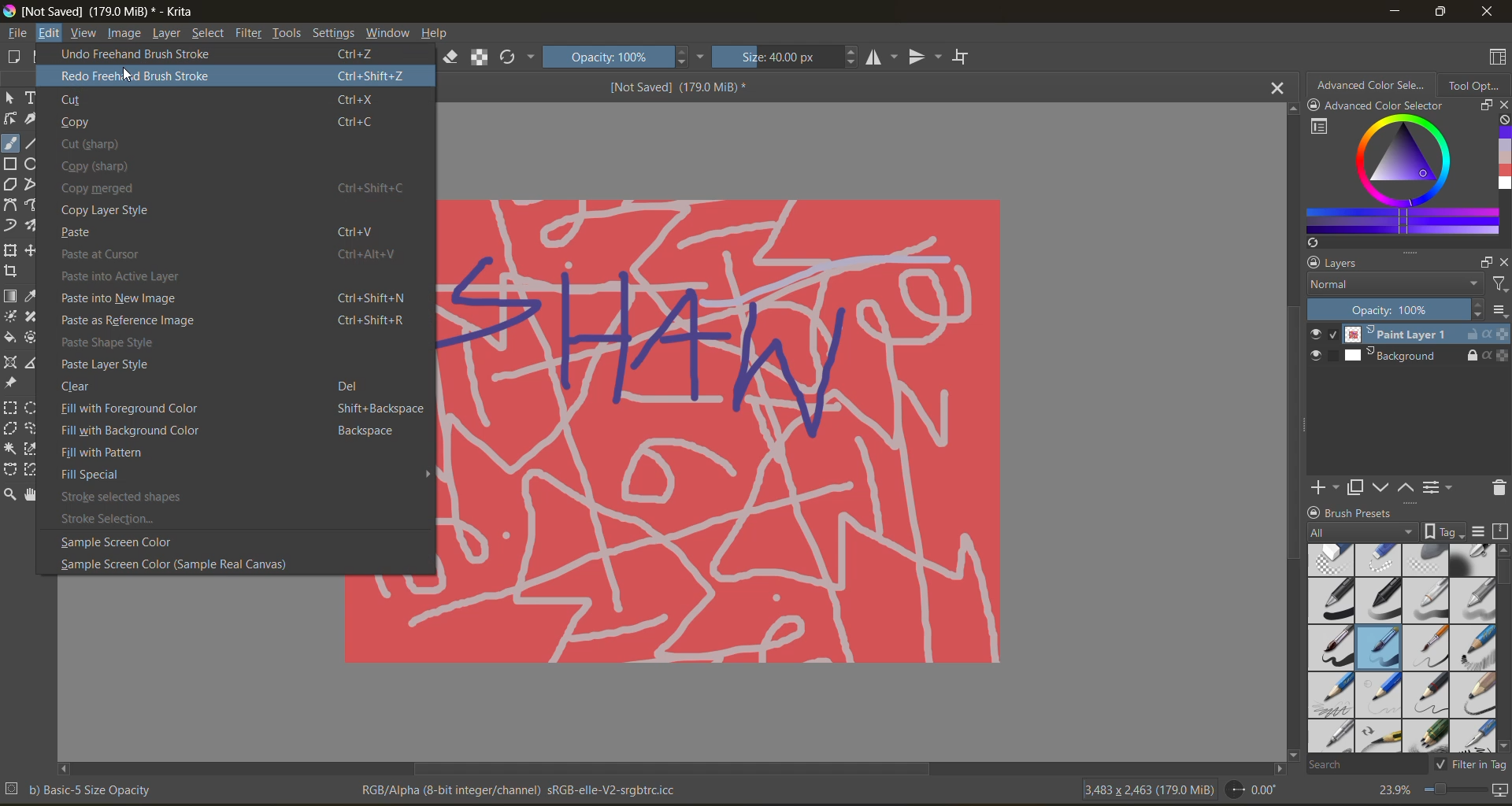 This screenshot has width=1512, height=806. I want to click on clear   Del, so click(213, 386).